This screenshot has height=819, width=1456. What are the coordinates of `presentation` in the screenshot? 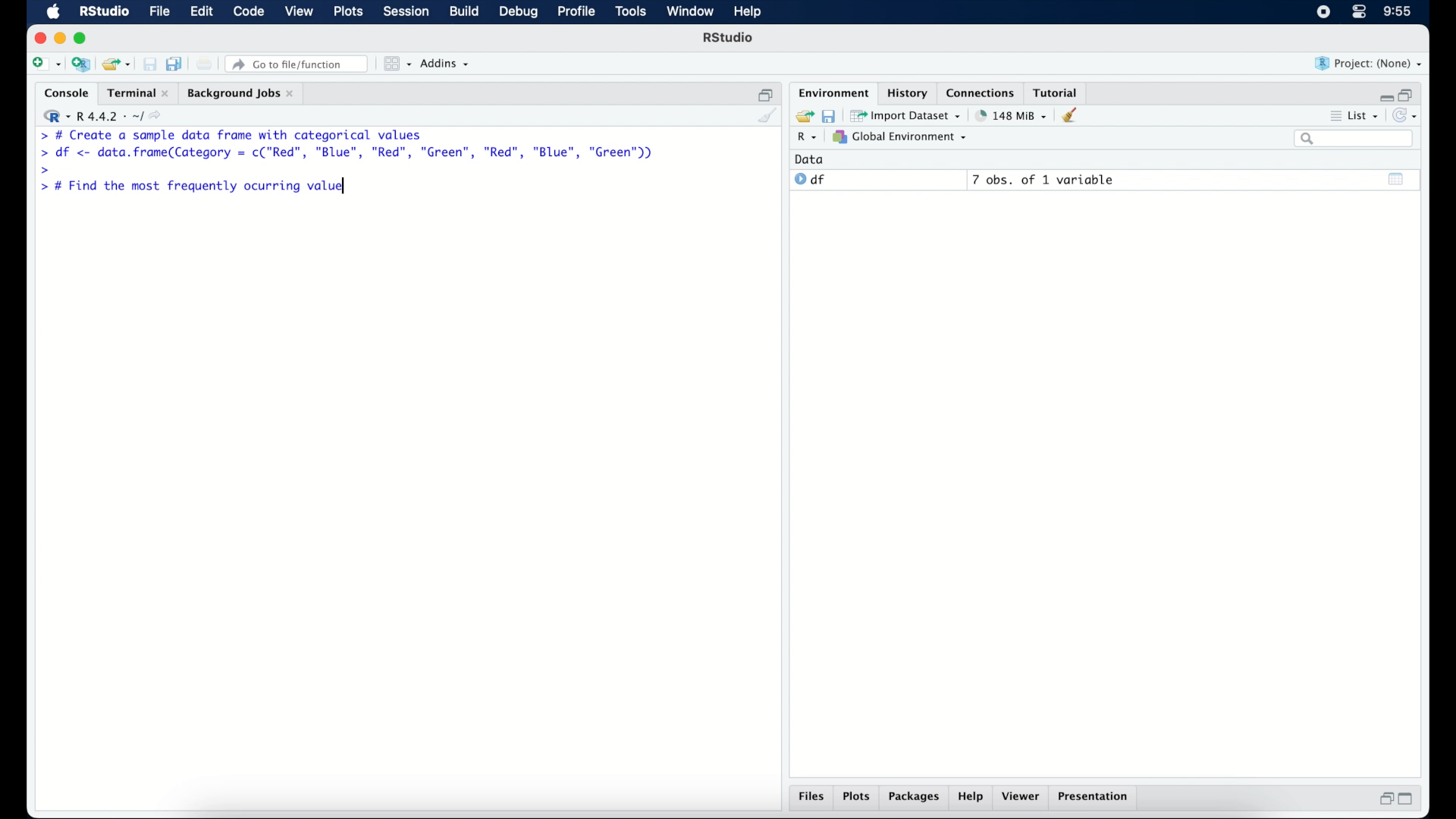 It's located at (1097, 798).